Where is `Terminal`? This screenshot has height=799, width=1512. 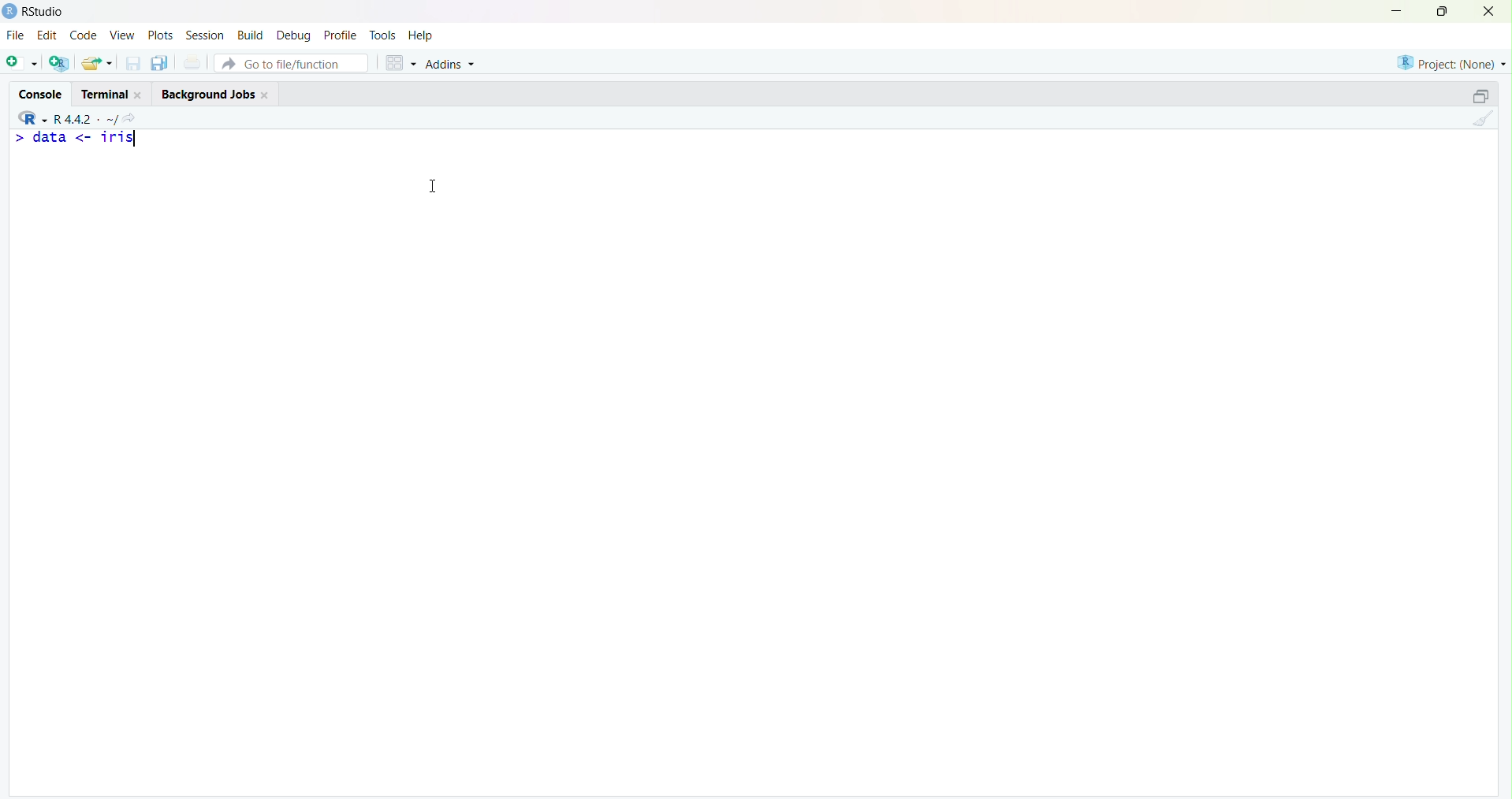
Terminal is located at coordinates (110, 91).